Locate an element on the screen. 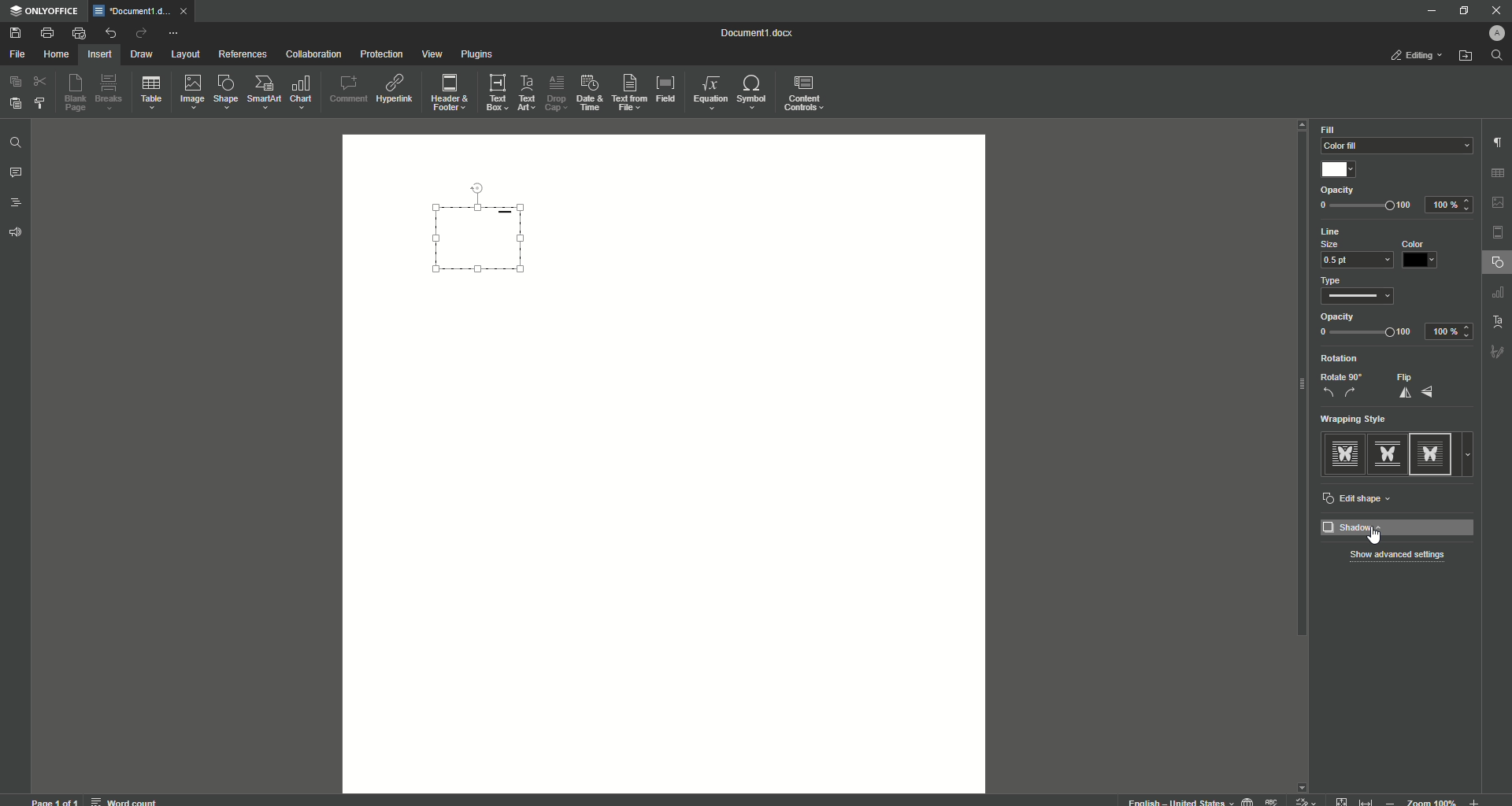 The image size is (1512, 806). Image is located at coordinates (191, 91).